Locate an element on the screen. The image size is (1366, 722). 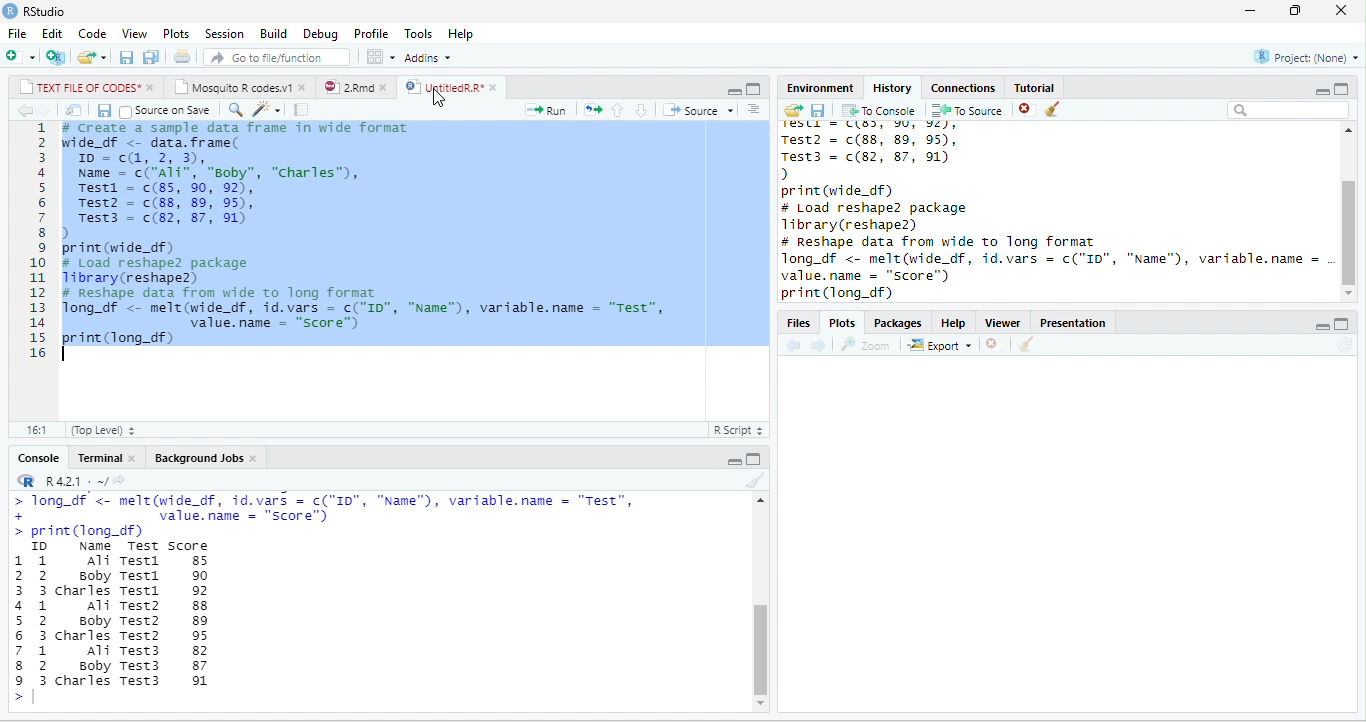
Run is located at coordinates (545, 110).